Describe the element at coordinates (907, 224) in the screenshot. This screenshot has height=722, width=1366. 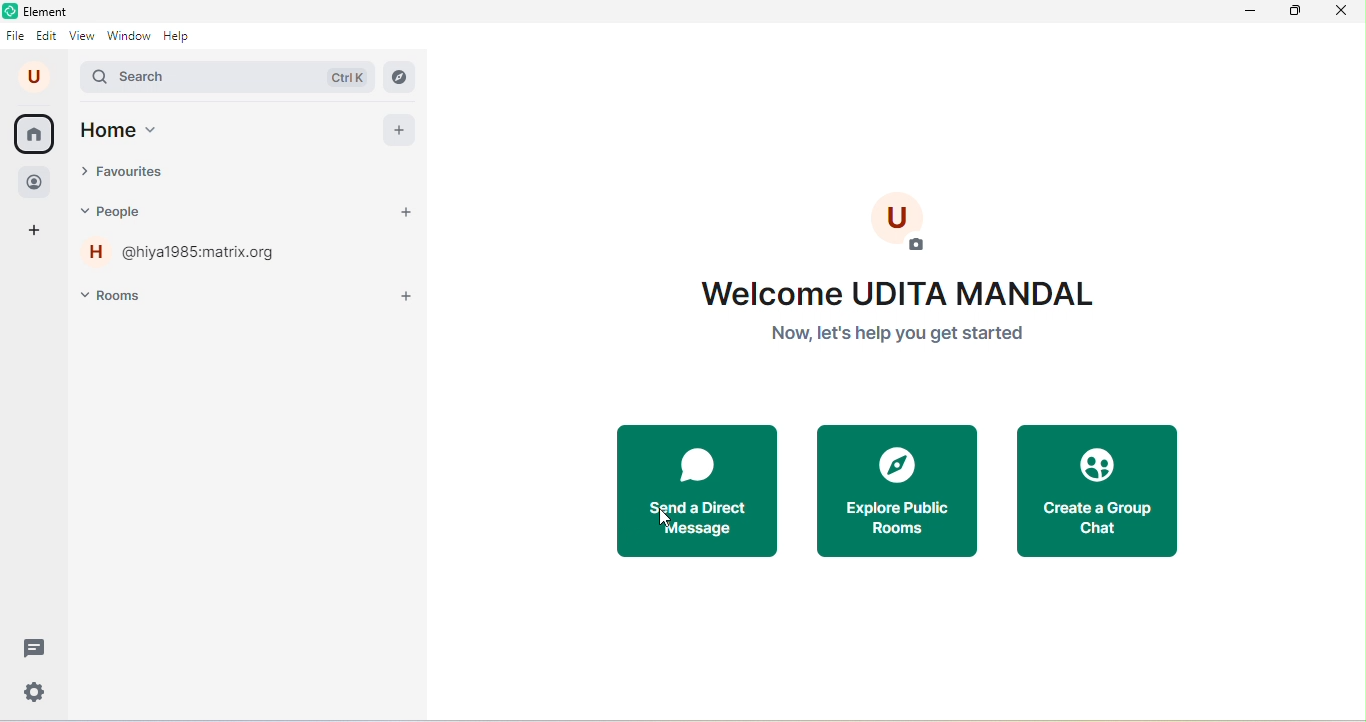
I see `add profile photo` at that location.